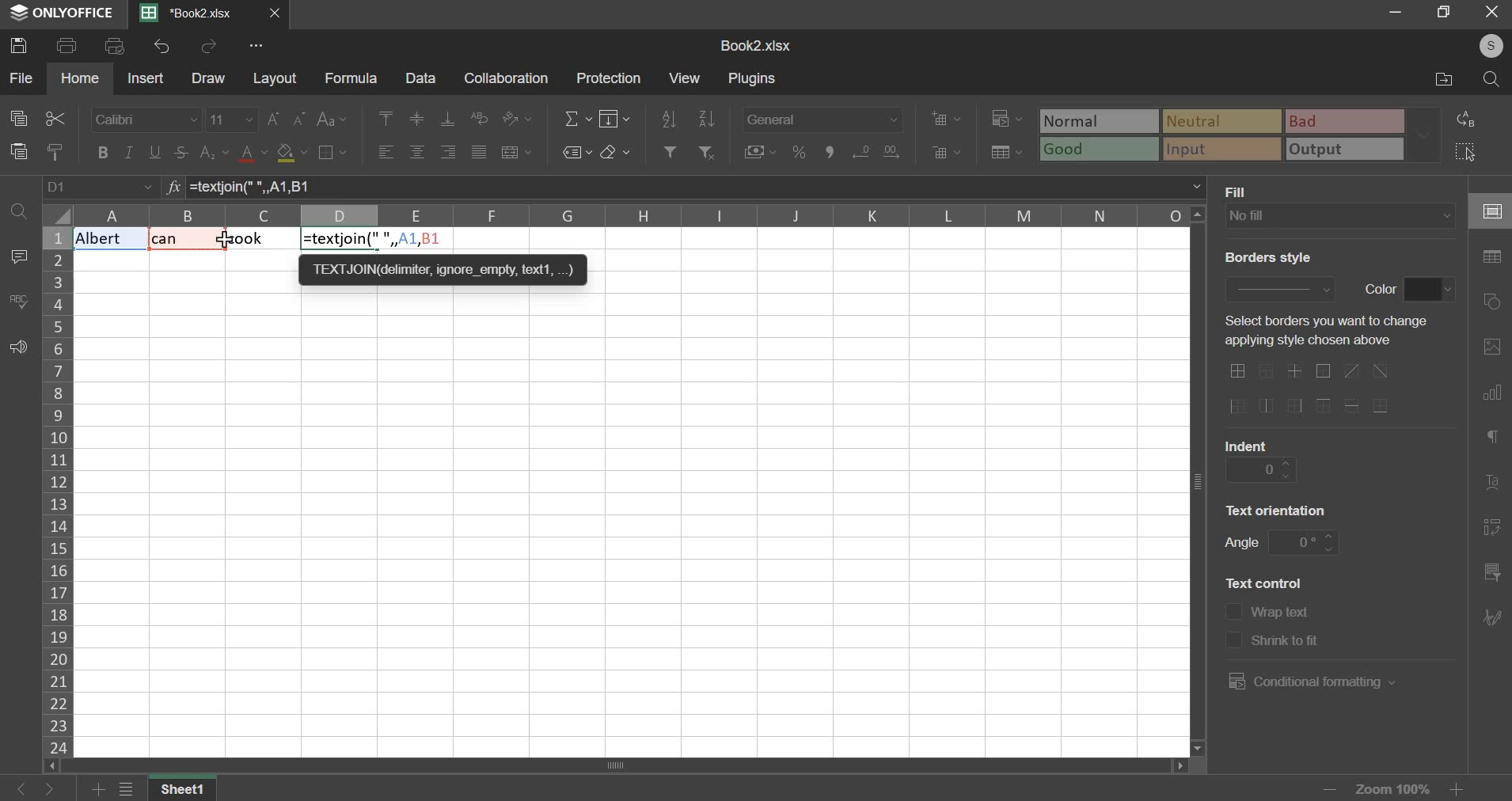 The image size is (1512, 801). What do you see at coordinates (1201, 480) in the screenshot?
I see `vertical scroll bar` at bounding box center [1201, 480].